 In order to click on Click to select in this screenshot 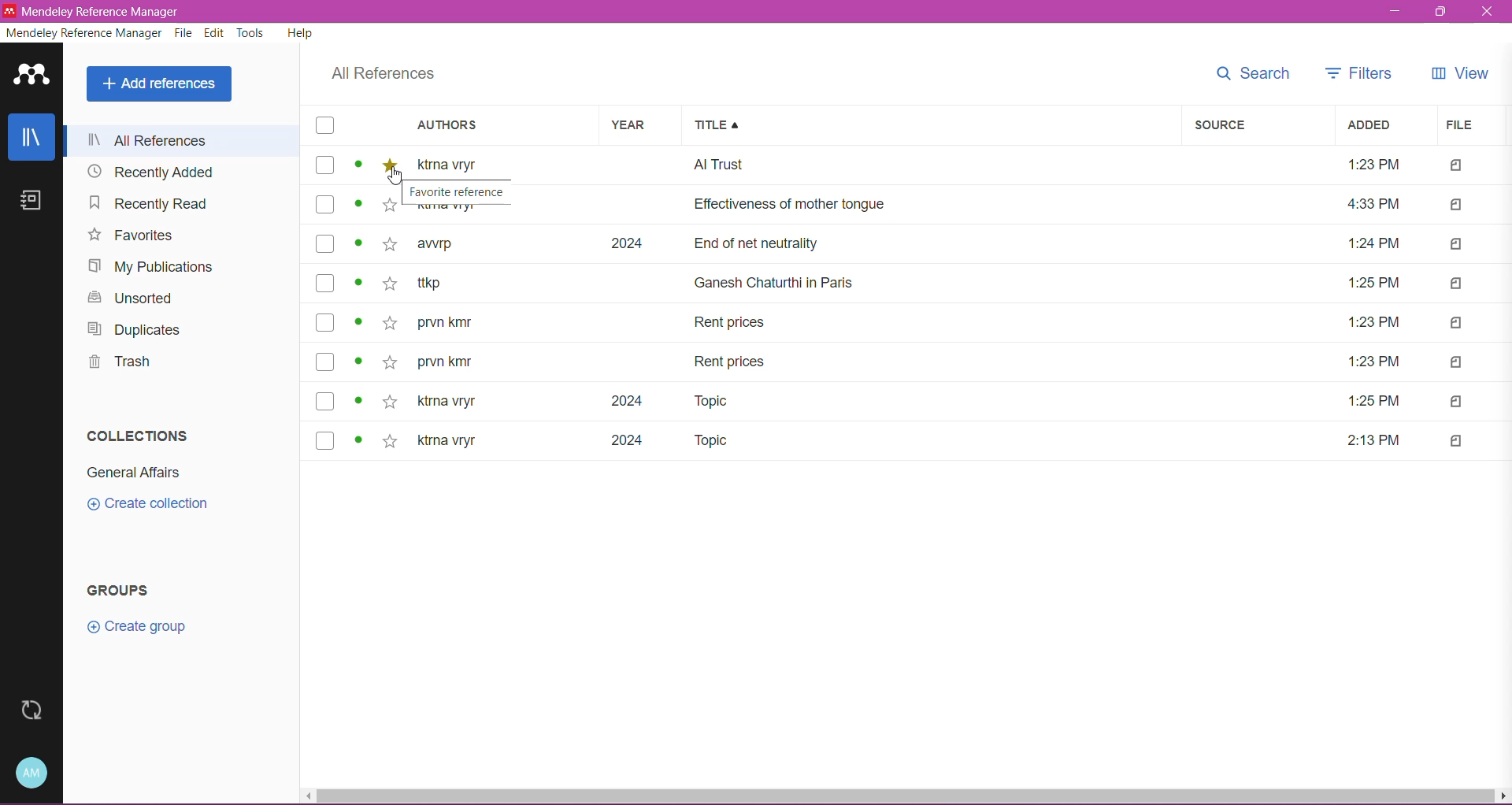, I will do `click(325, 204)`.